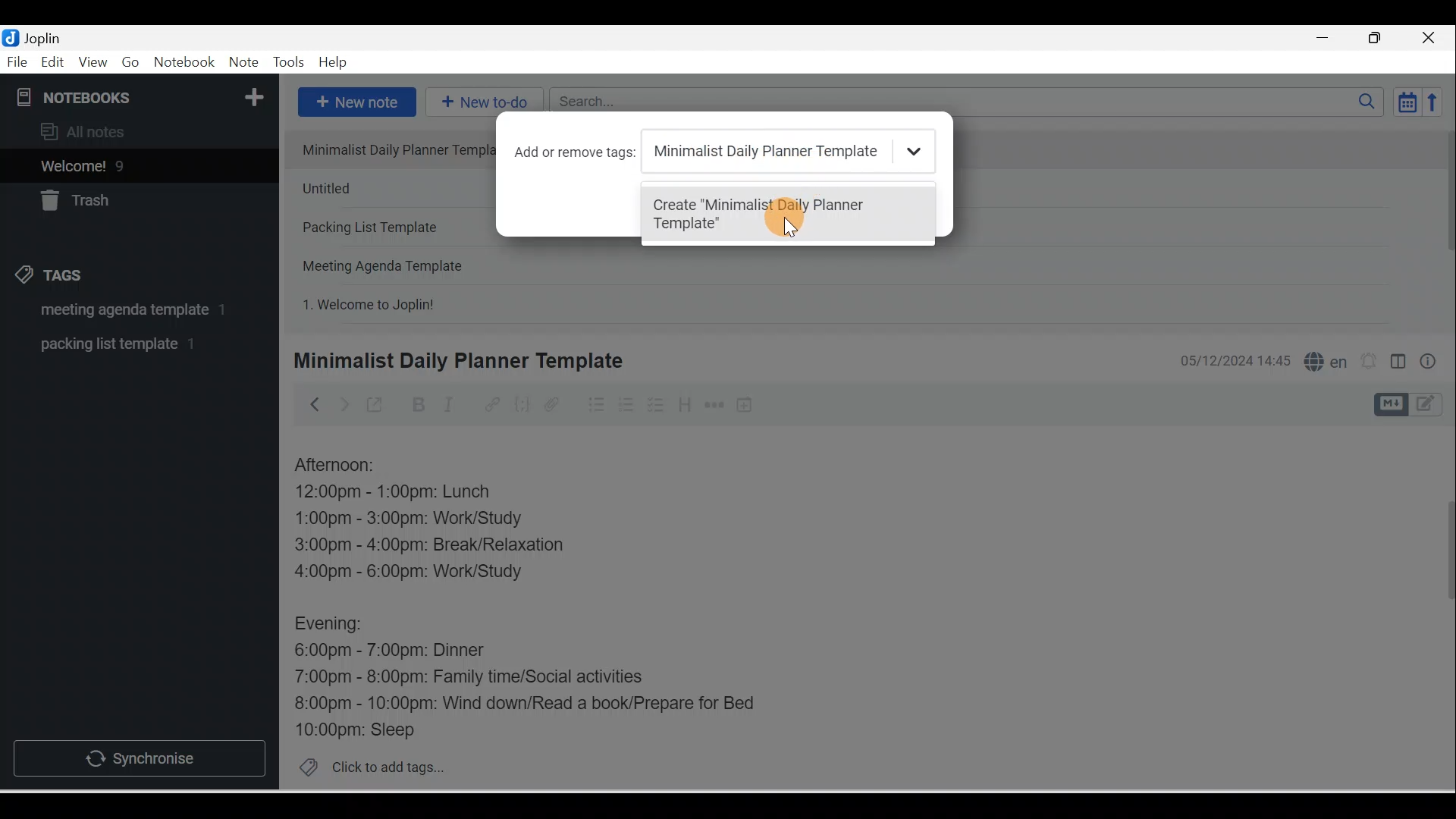 This screenshot has height=819, width=1456. Describe the element at coordinates (54, 278) in the screenshot. I see `Tags` at that location.